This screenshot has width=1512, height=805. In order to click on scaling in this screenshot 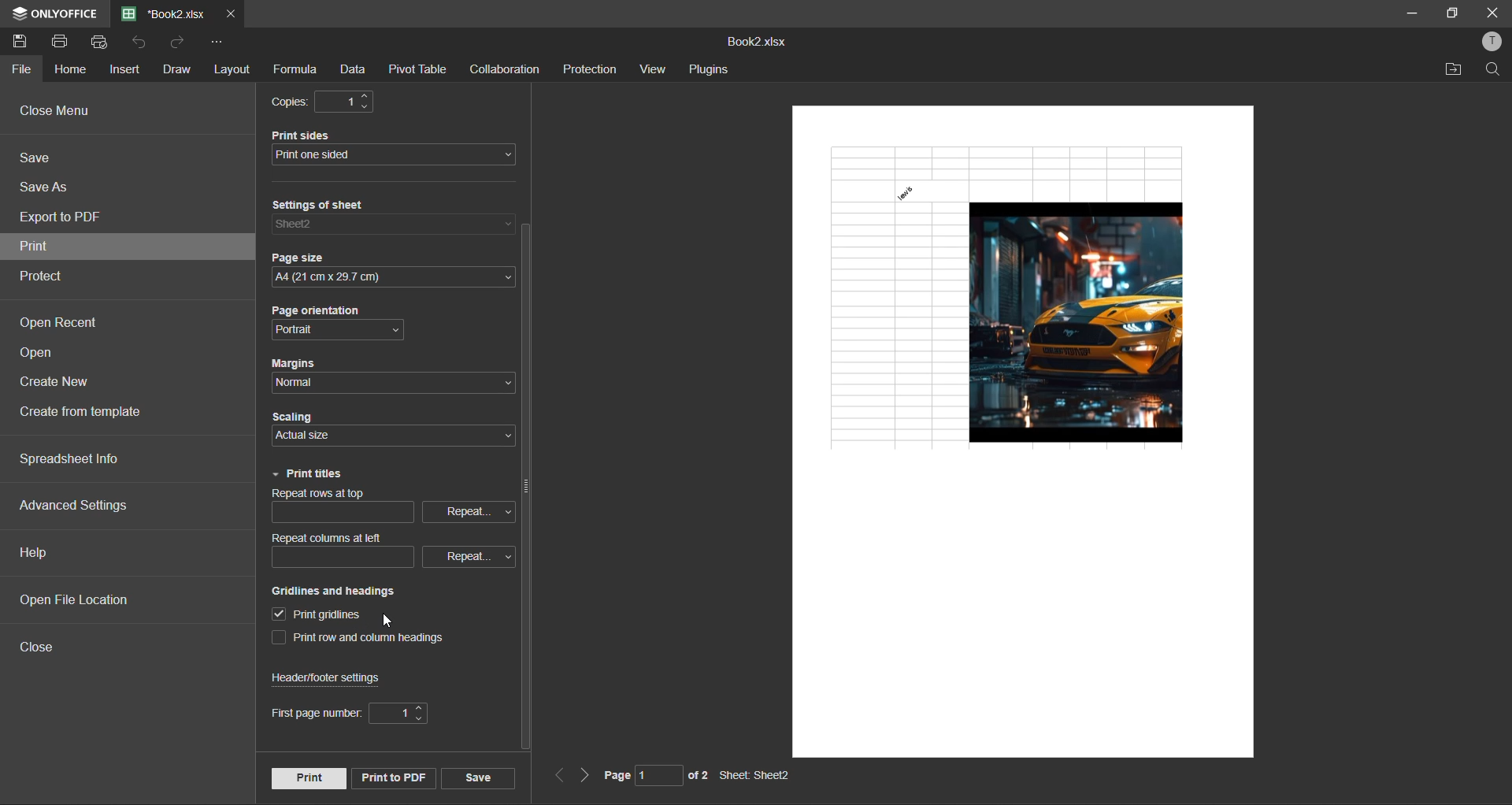, I will do `click(298, 414)`.